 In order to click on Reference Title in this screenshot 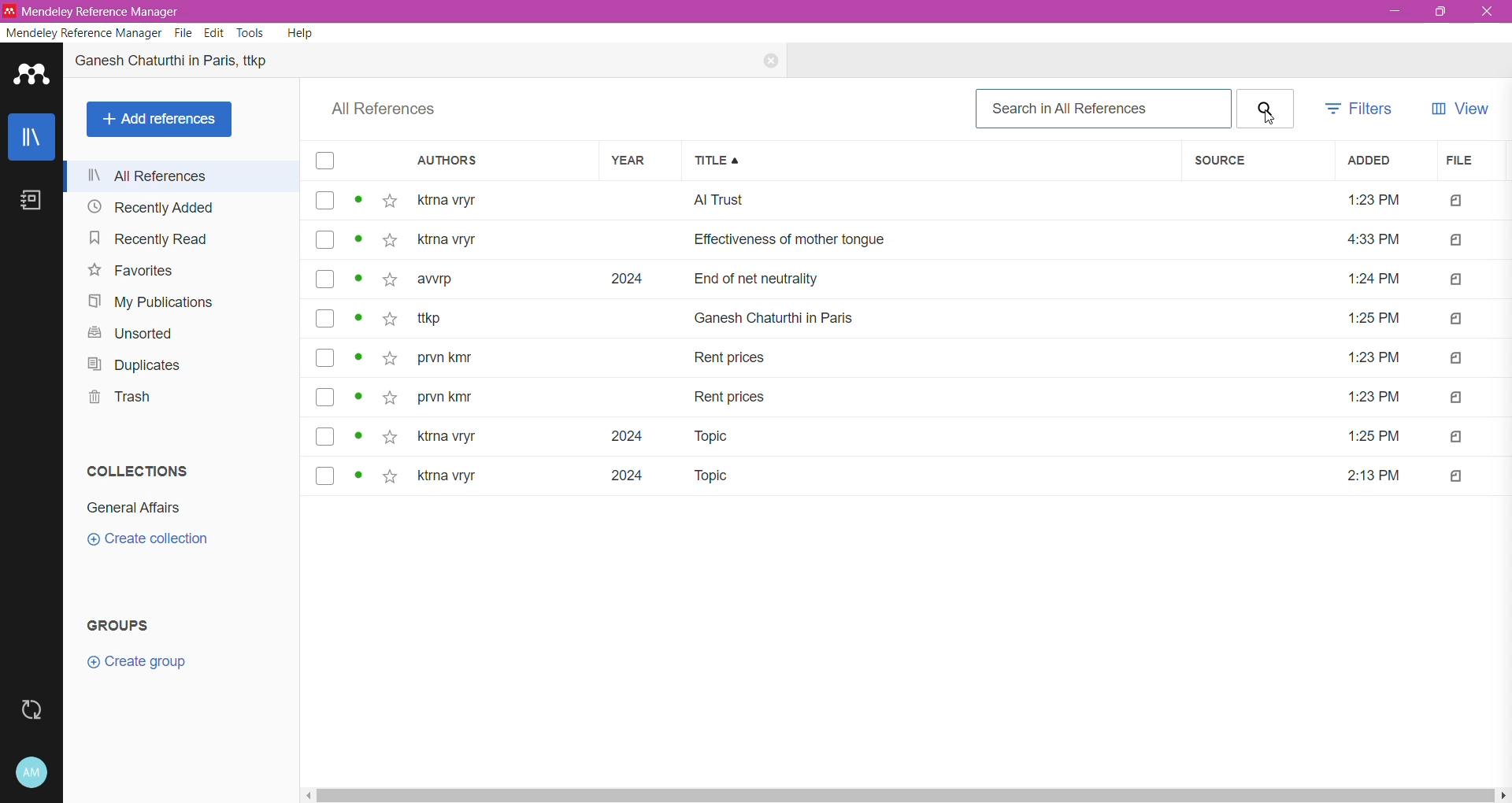, I will do `click(189, 63)`.